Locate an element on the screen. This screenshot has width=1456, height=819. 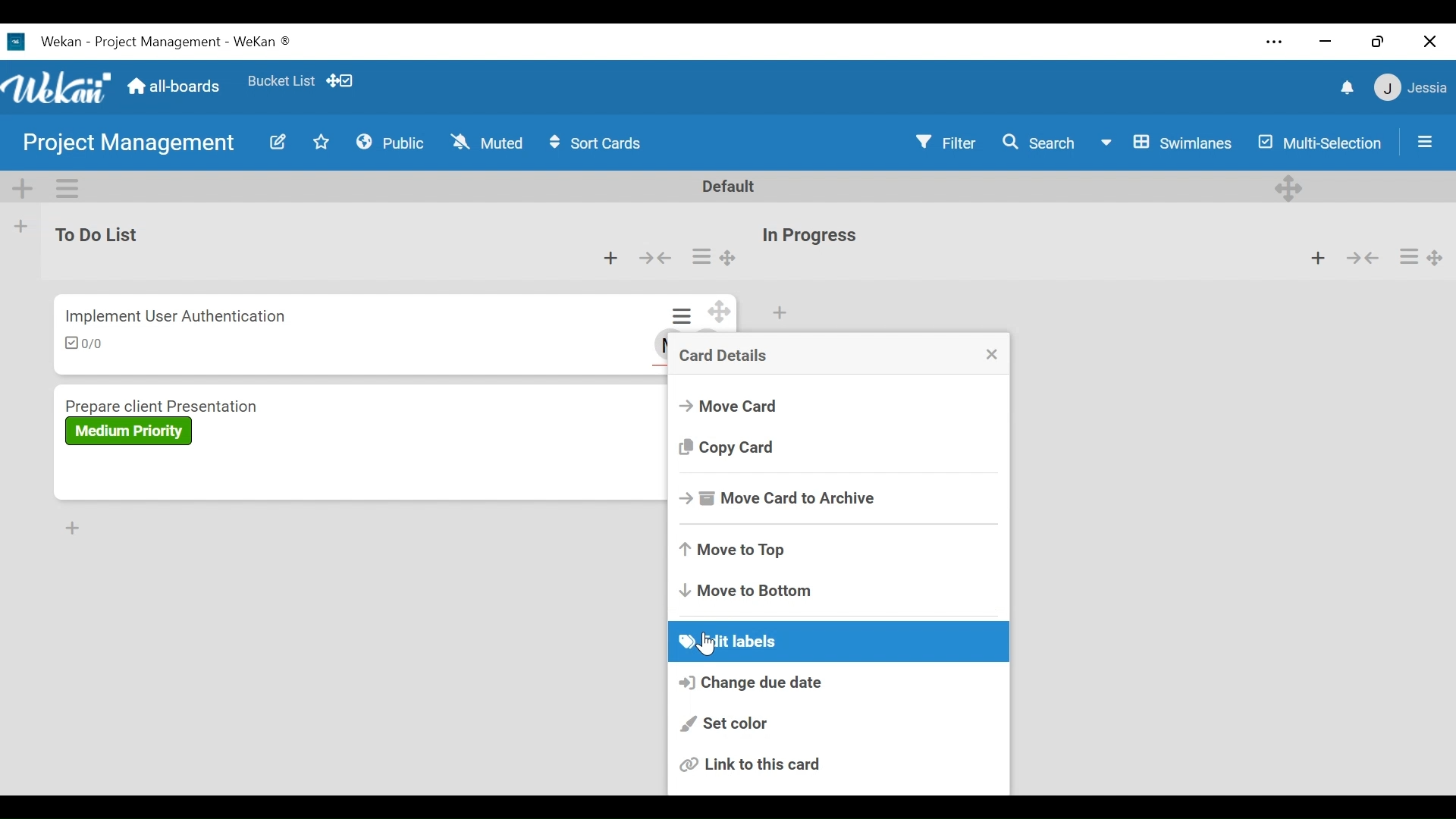
Muted is located at coordinates (486, 142).